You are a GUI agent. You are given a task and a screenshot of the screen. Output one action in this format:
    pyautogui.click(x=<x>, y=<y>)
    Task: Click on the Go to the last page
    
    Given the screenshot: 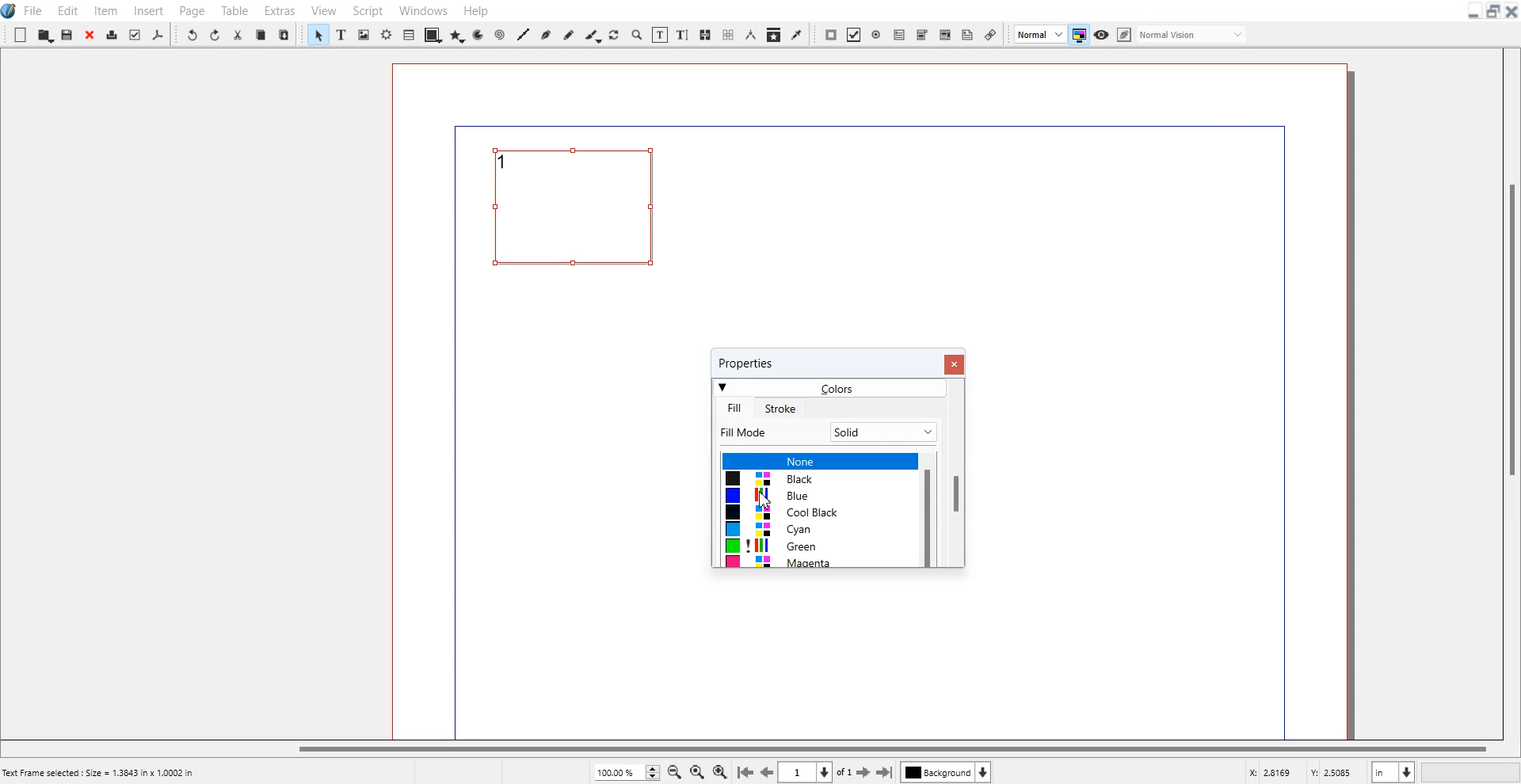 What is the action you would take?
    pyautogui.click(x=884, y=772)
    